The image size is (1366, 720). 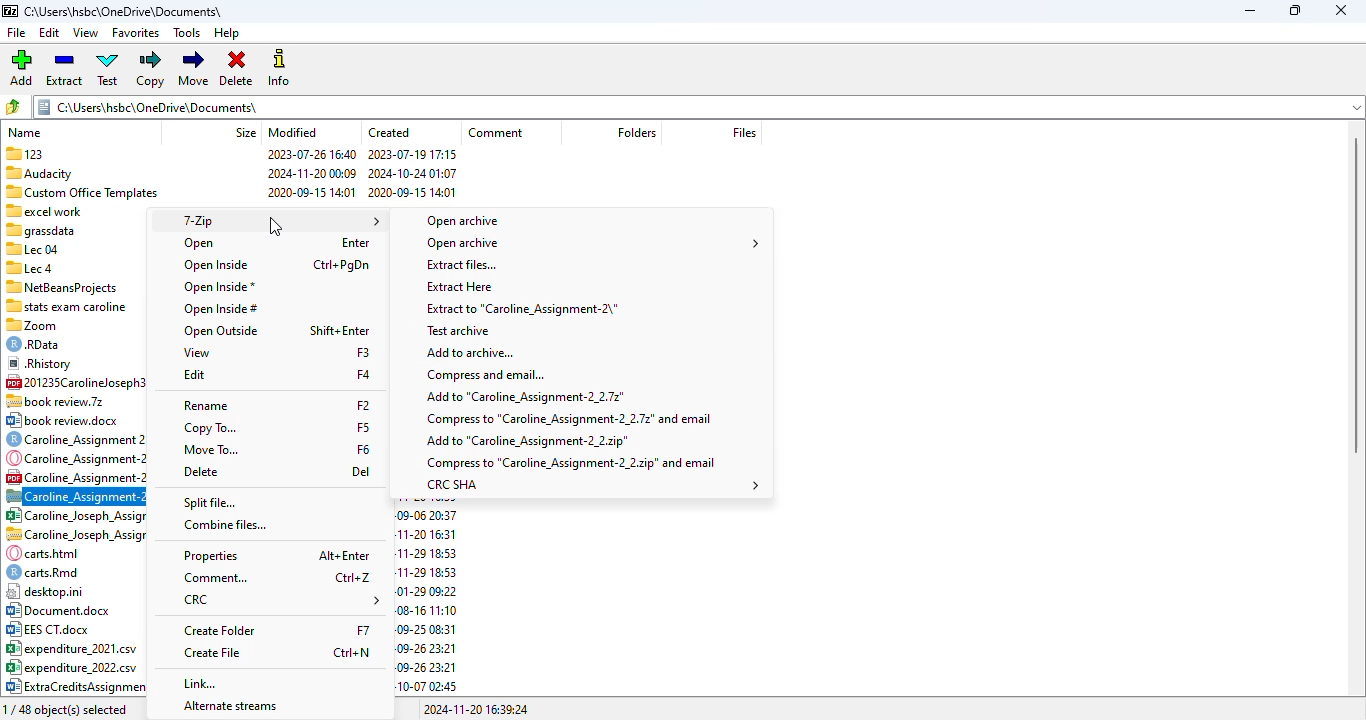 What do you see at coordinates (198, 683) in the screenshot?
I see `link` at bounding box center [198, 683].